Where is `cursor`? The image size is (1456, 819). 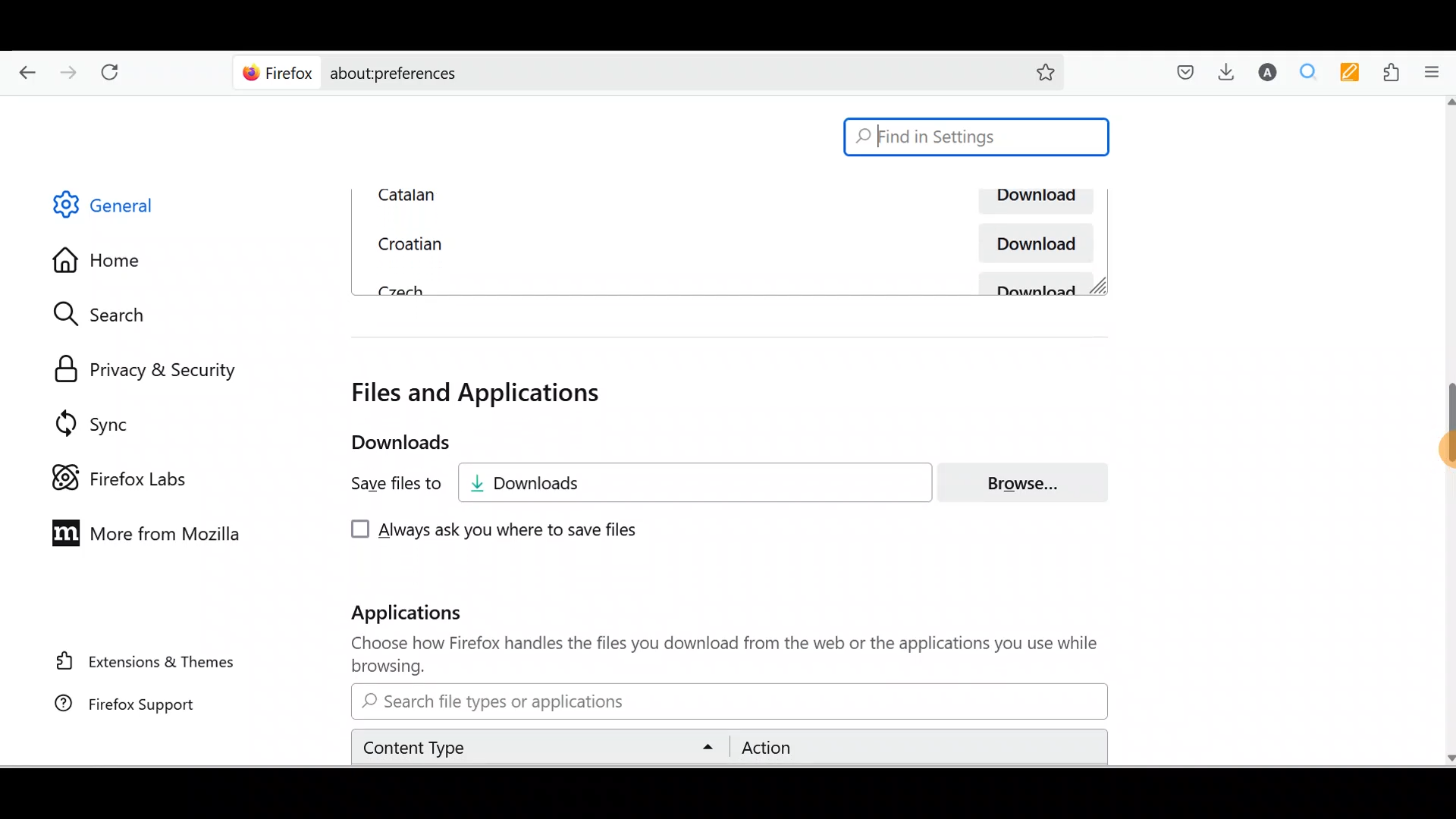 cursor is located at coordinates (1447, 451).